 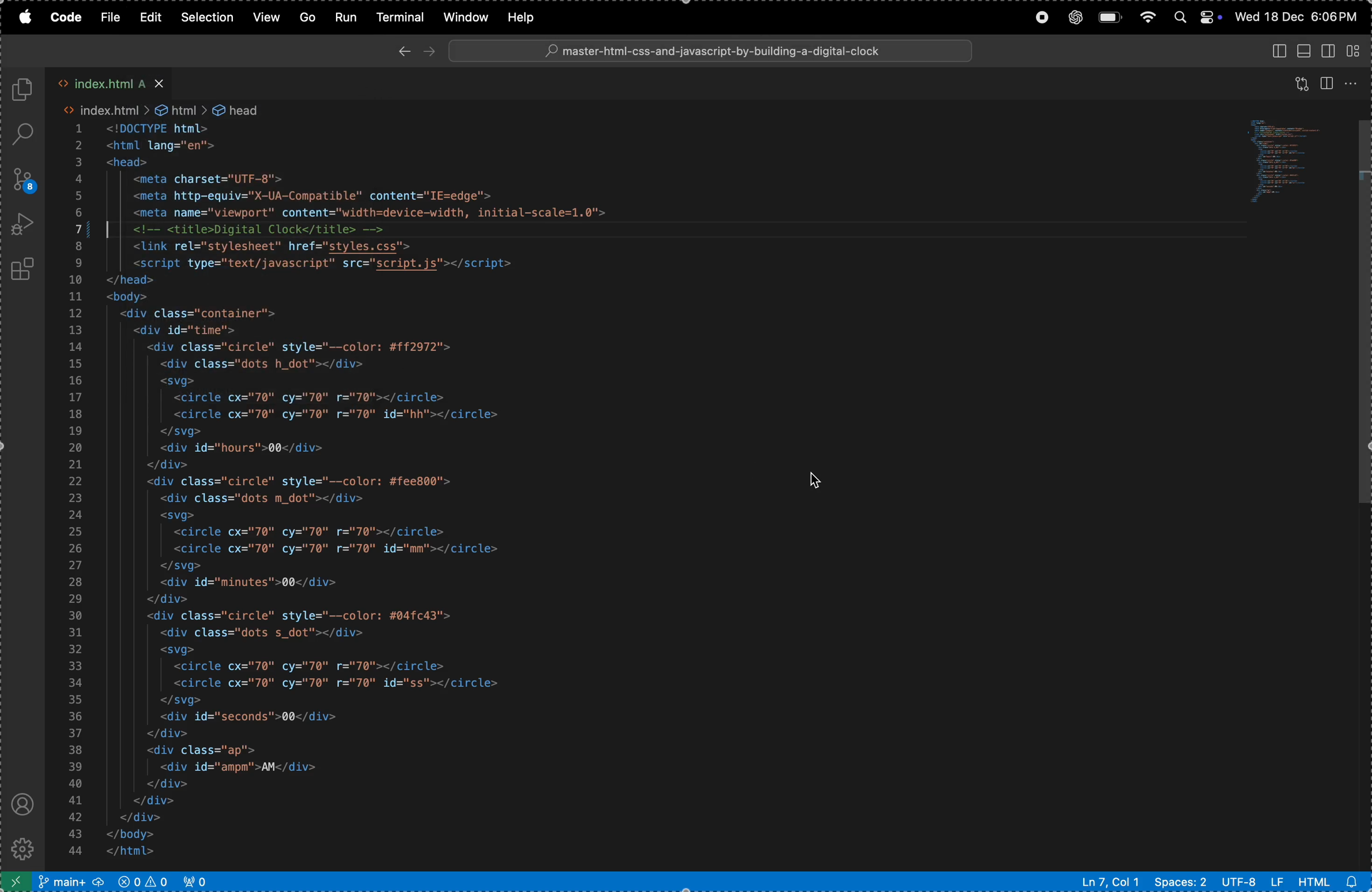 I want to click on top grid view, so click(x=1305, y=50).